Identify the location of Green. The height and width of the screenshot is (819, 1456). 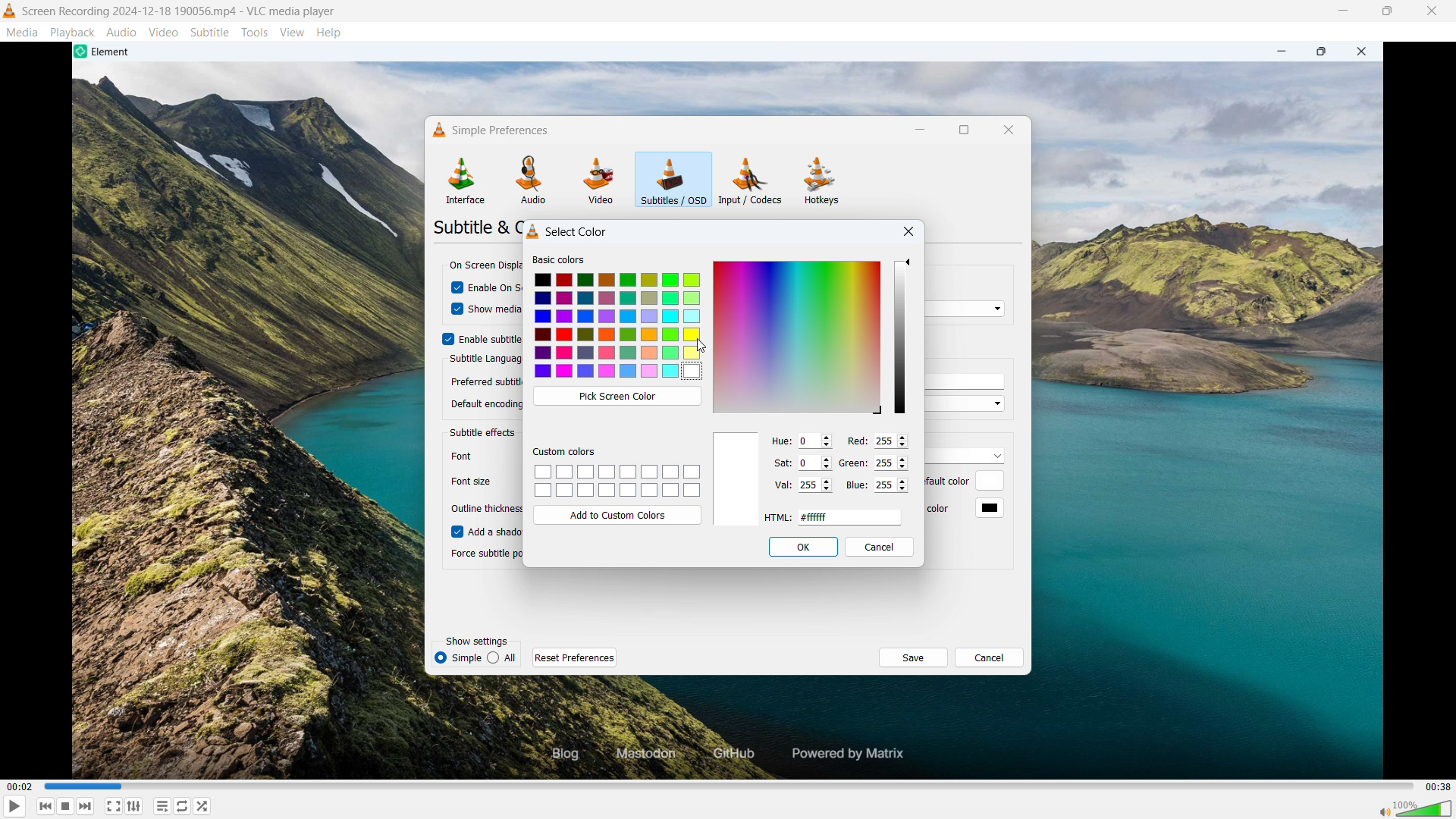
(855, 462).